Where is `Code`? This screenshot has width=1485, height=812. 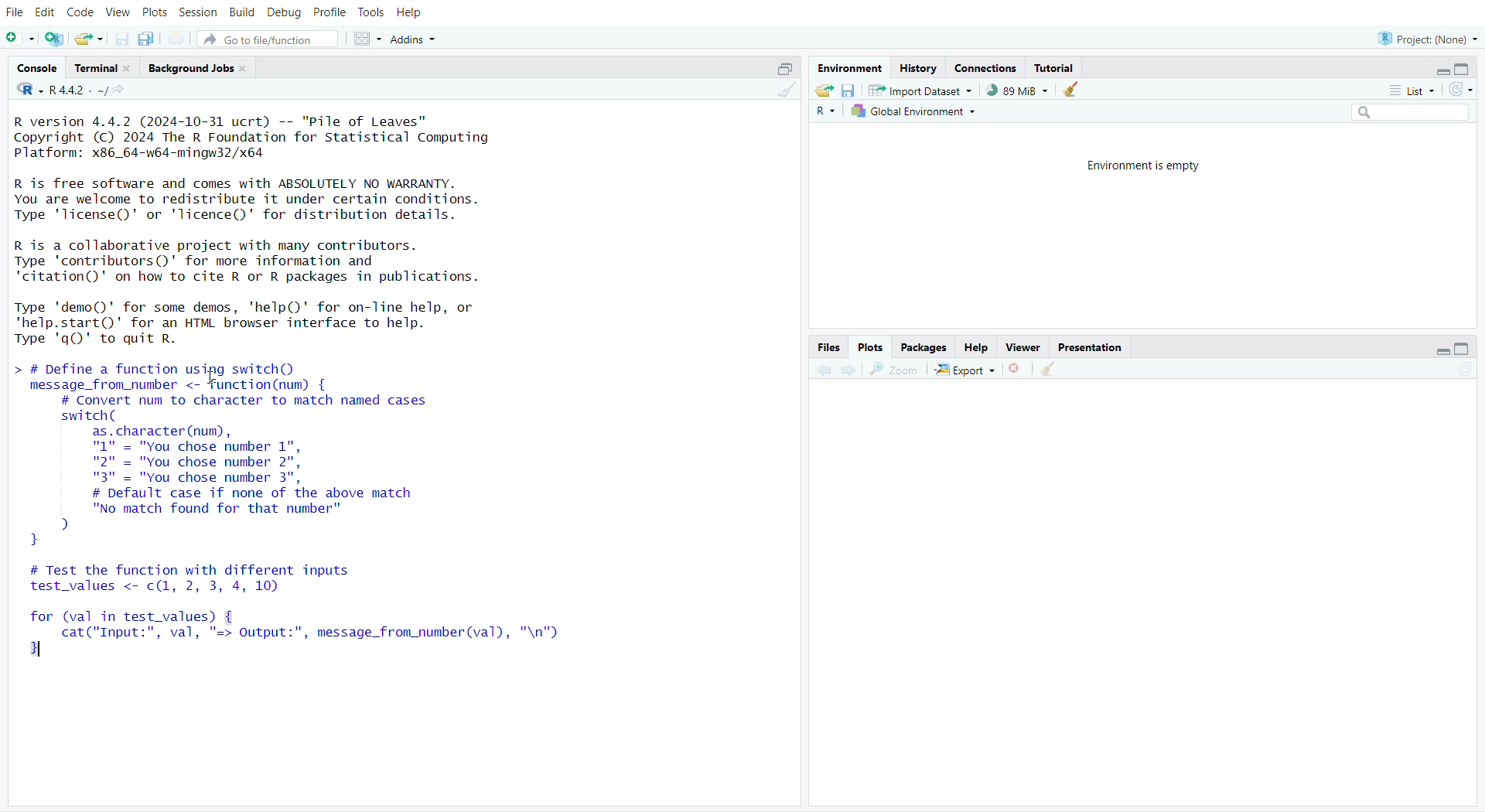 Code is located at coordinates (81, 12).